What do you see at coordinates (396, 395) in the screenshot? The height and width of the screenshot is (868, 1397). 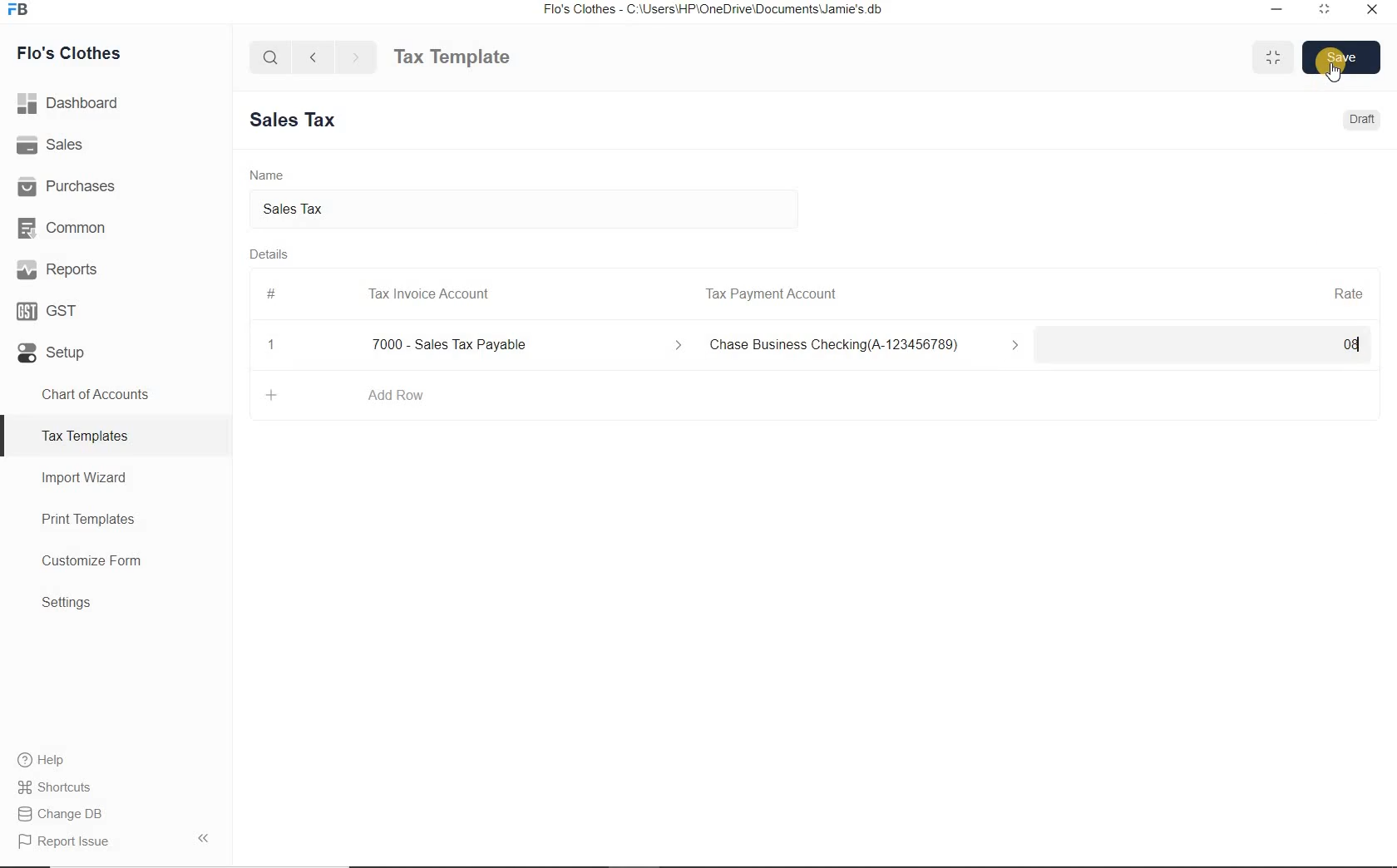 I see `Add Row` at bounding box center [396, 395].